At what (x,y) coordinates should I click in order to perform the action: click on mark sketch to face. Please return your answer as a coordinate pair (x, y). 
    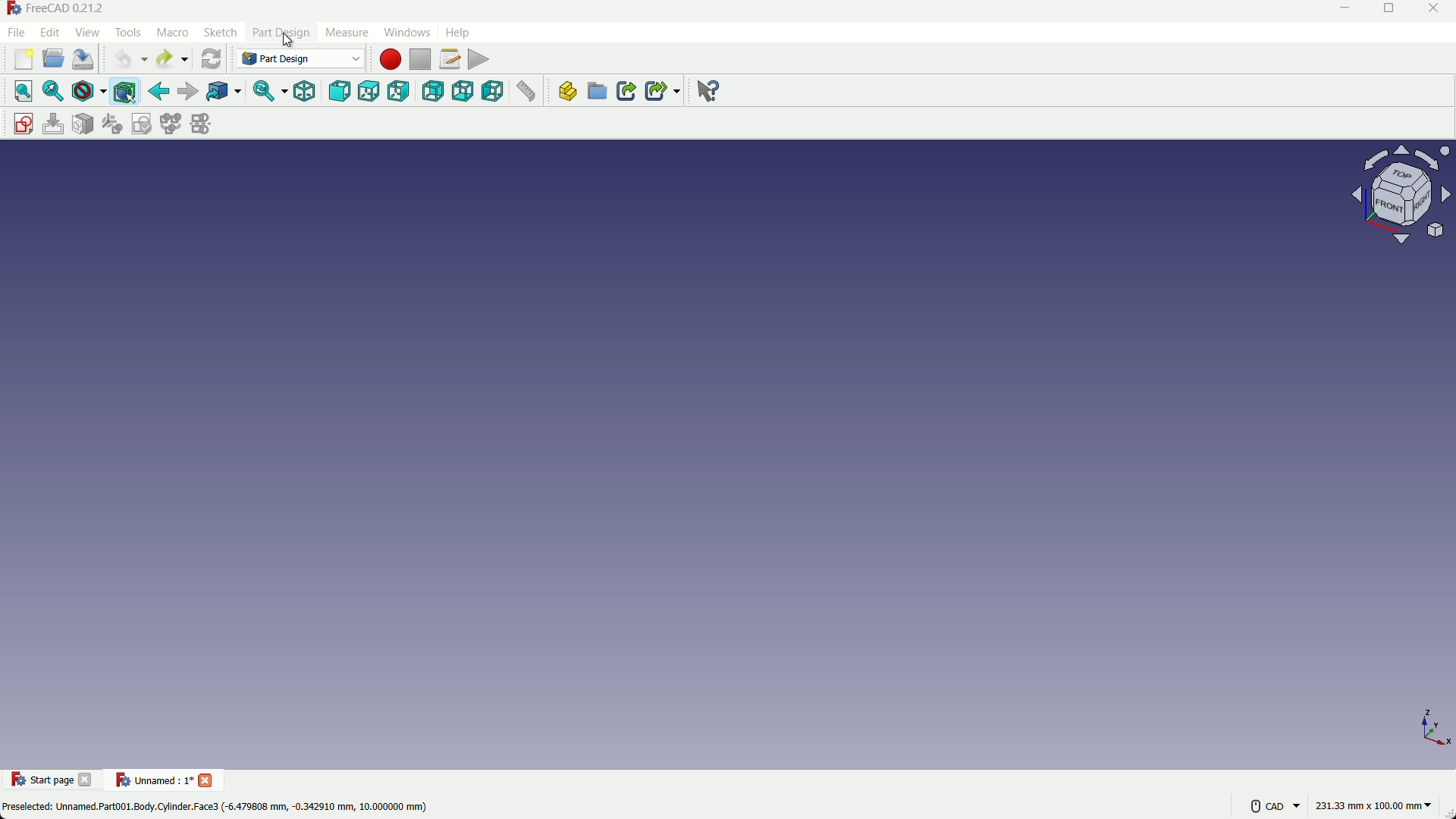
    Looking at the image, I should click on (83, 124).